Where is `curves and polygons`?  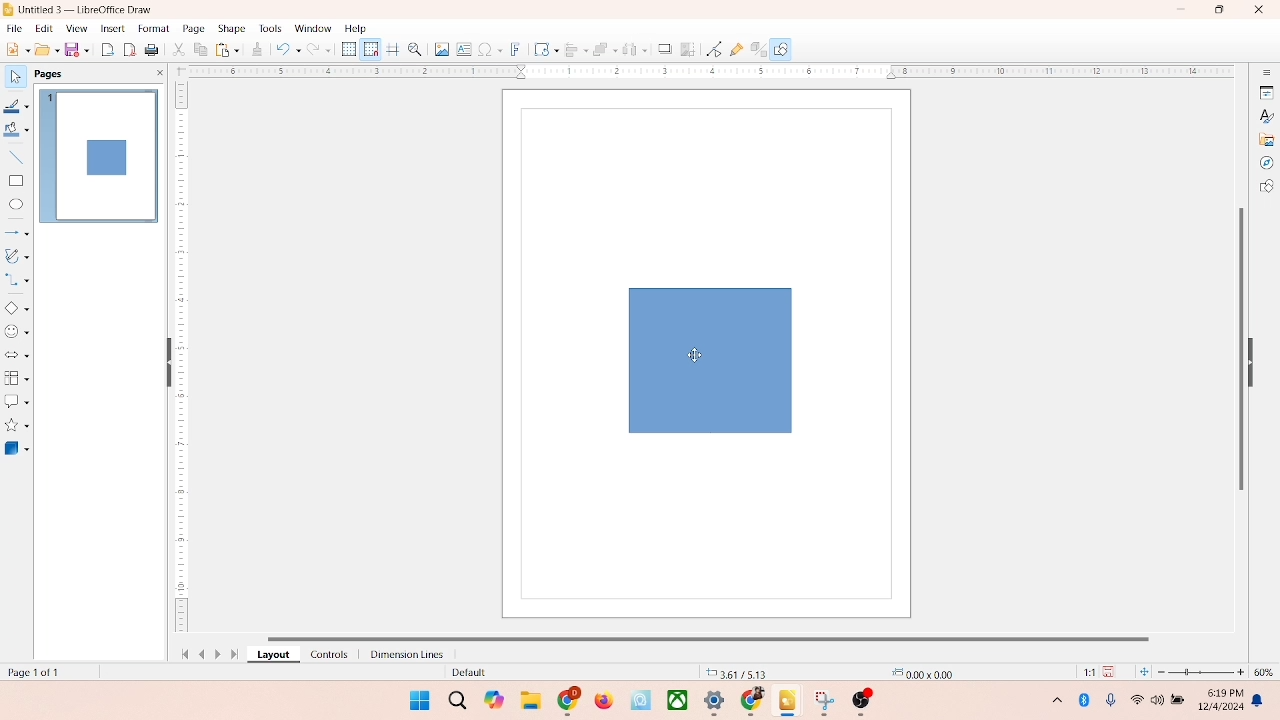
curves and polygons is located at coordinates (18, 254).